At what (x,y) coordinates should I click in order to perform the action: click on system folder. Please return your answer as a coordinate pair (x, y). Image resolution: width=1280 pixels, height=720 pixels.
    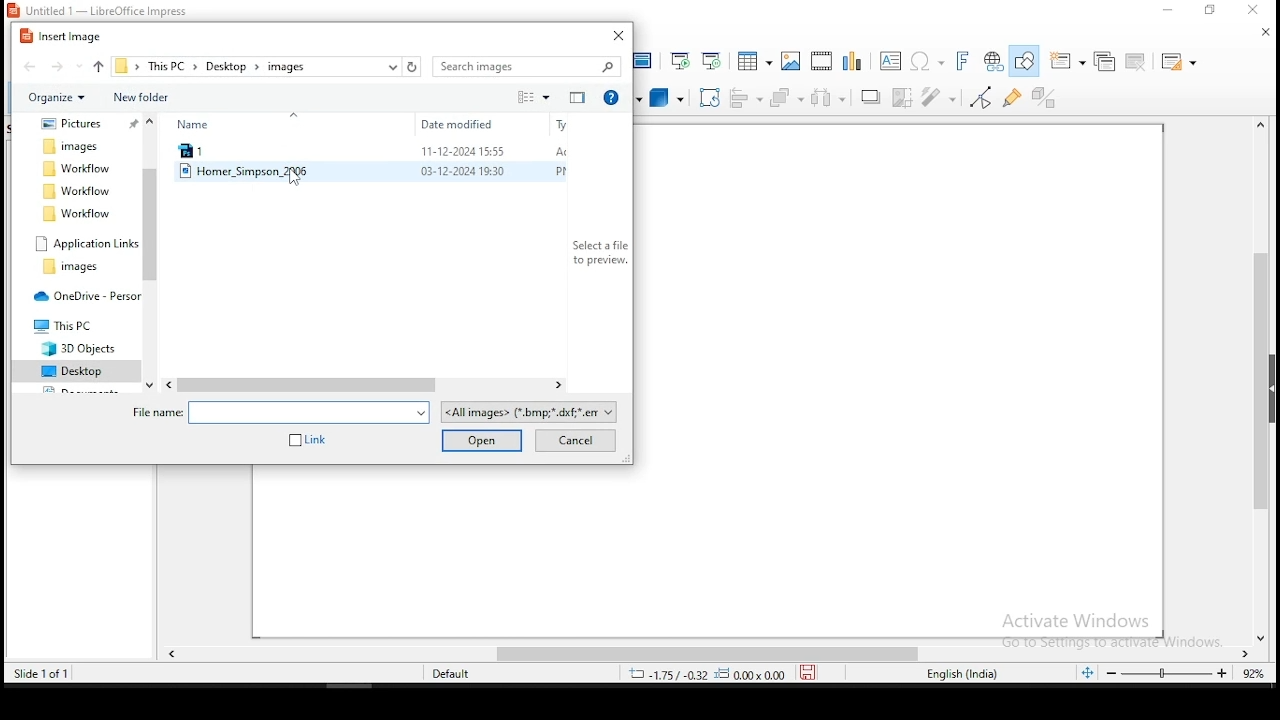
    Looking at the image, I should click on (72, 146).